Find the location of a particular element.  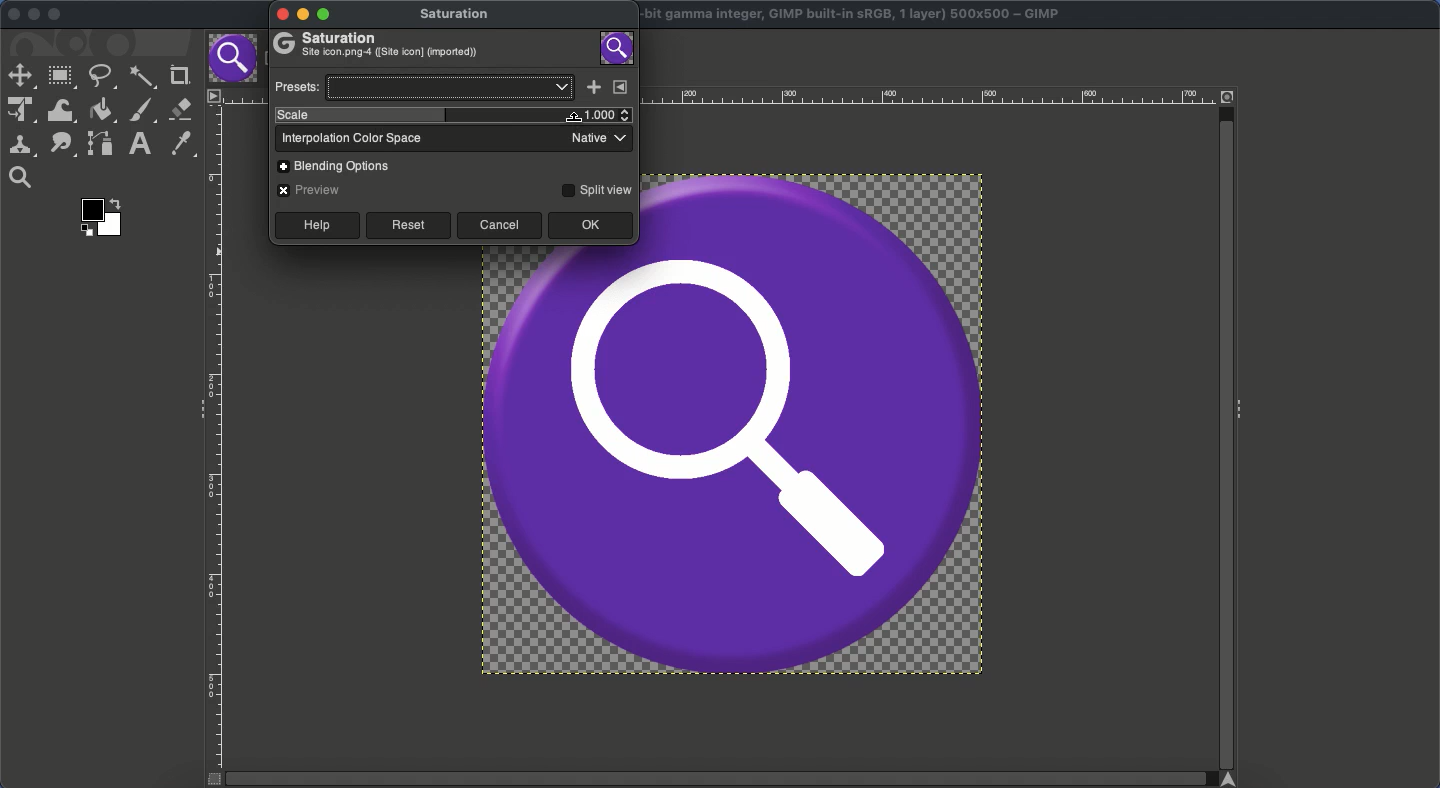

Warp transformation is located at coordinates (59, 110).